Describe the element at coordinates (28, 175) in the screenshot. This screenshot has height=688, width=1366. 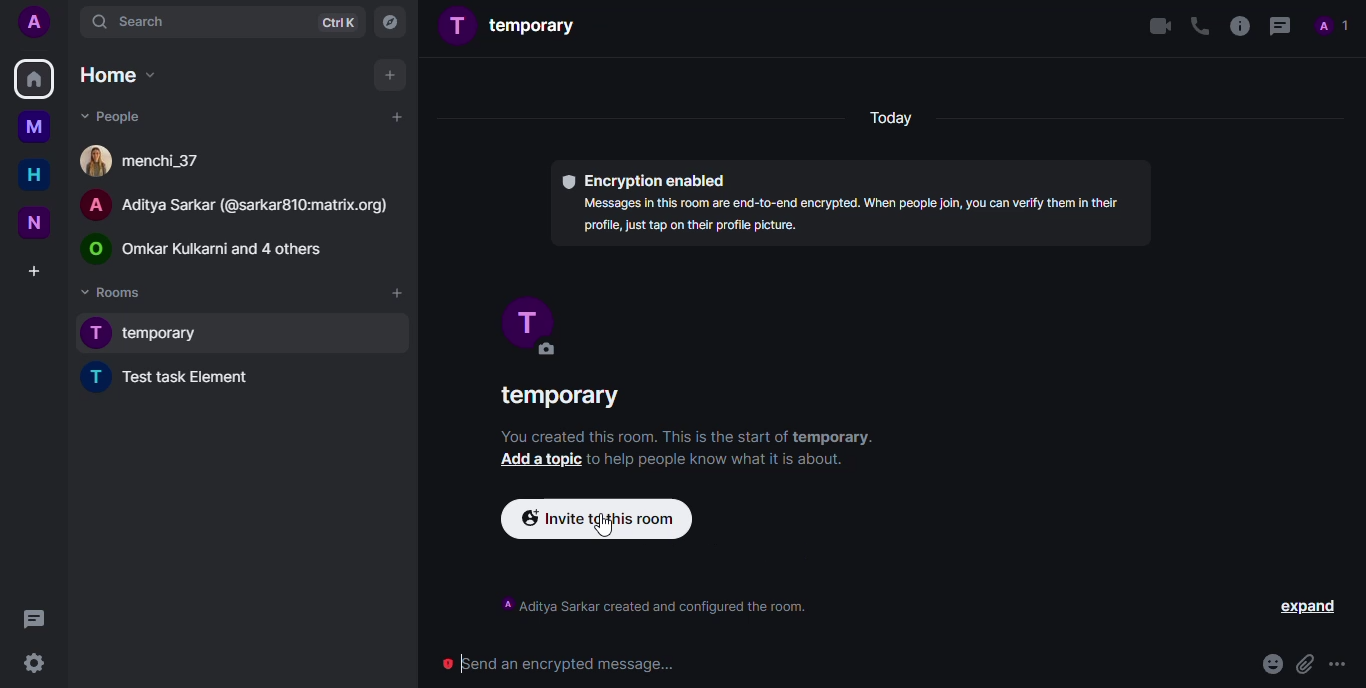
I see `home` at that location.